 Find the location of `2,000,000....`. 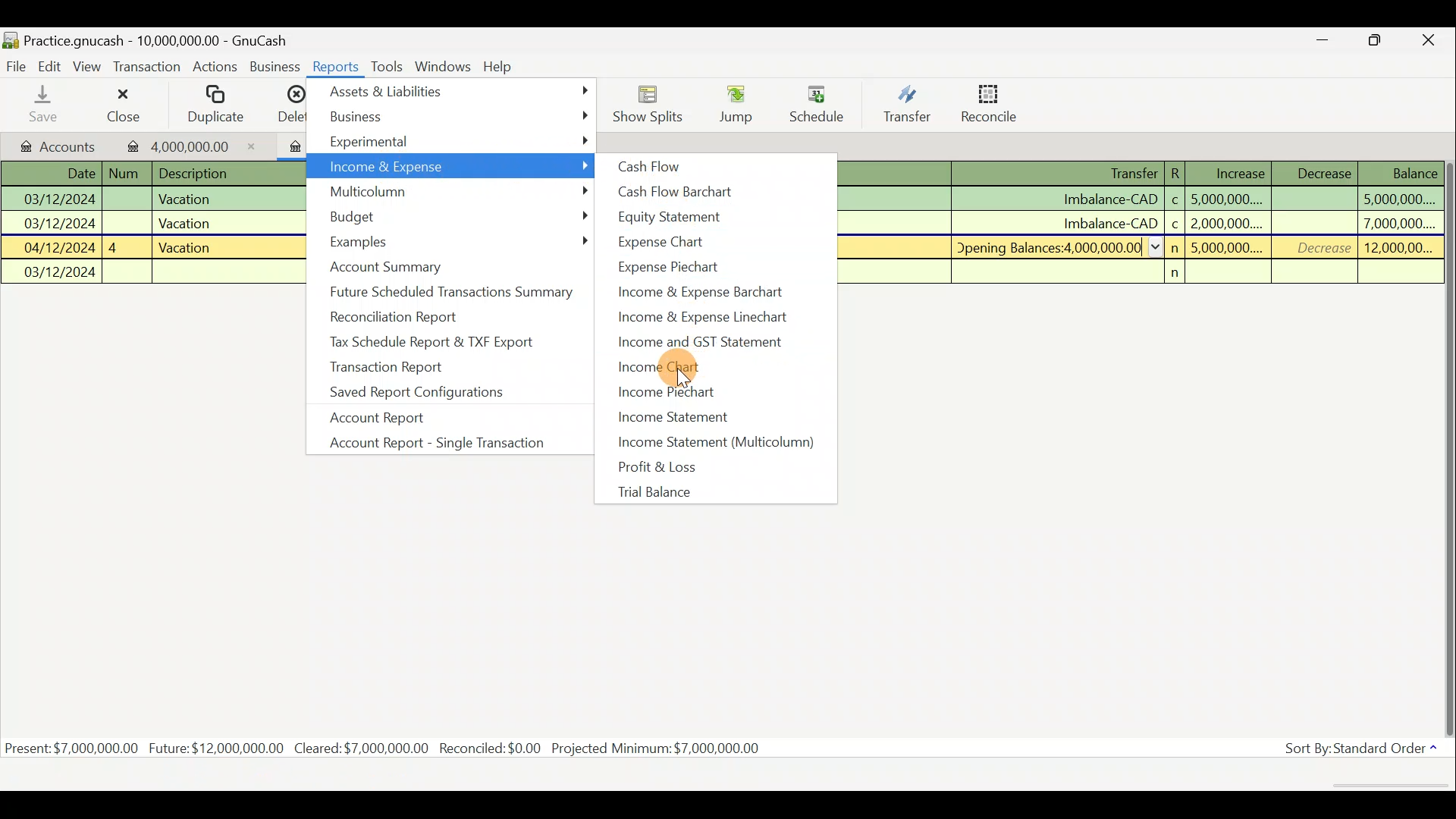

2,000,000.... is located at coordinates (1228, 223).